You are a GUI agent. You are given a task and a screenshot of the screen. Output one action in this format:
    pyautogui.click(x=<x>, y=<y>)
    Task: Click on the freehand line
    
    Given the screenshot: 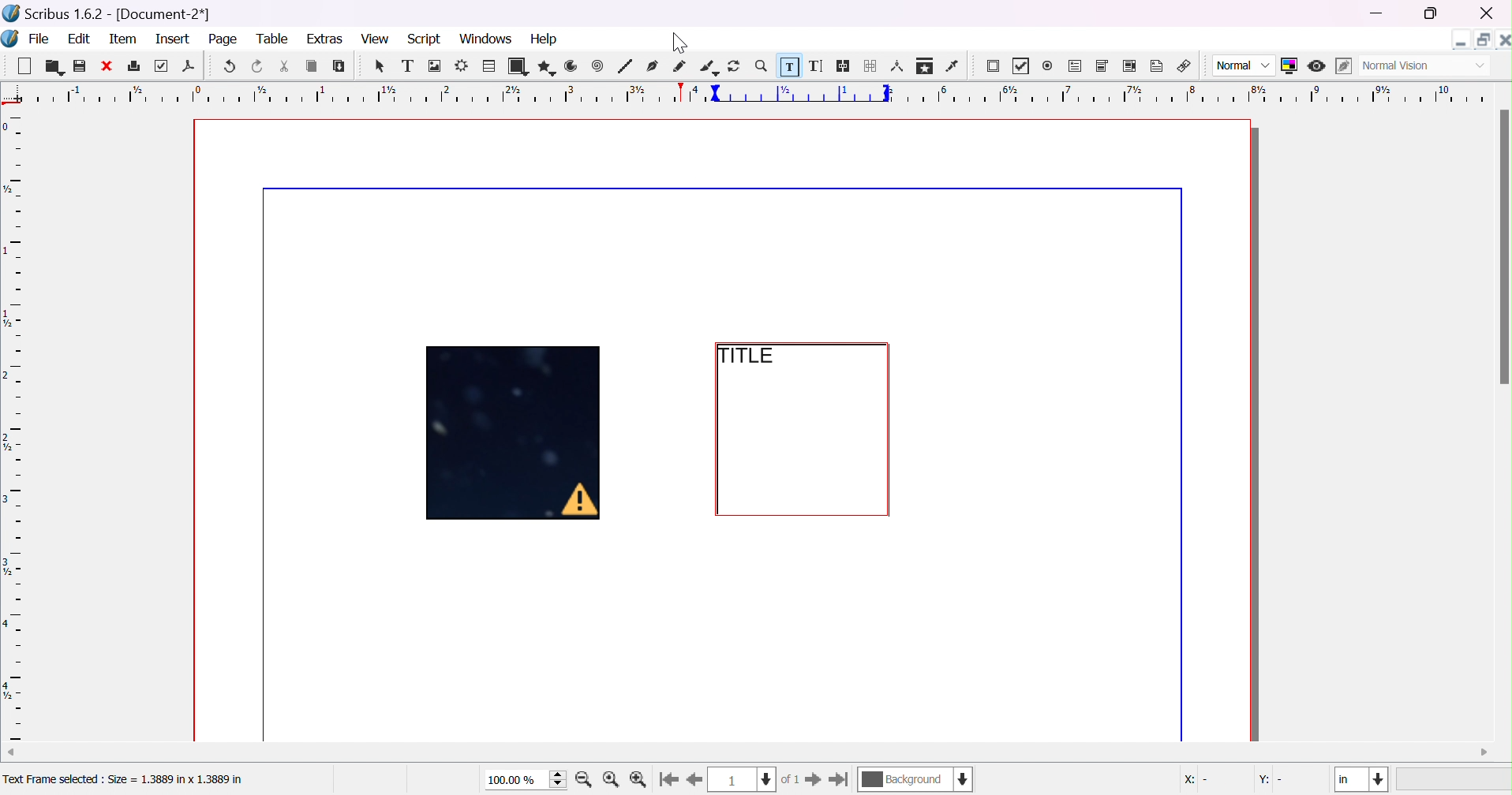 What is the action you would take?
    pyautogui.click(x=679, y=66)
    